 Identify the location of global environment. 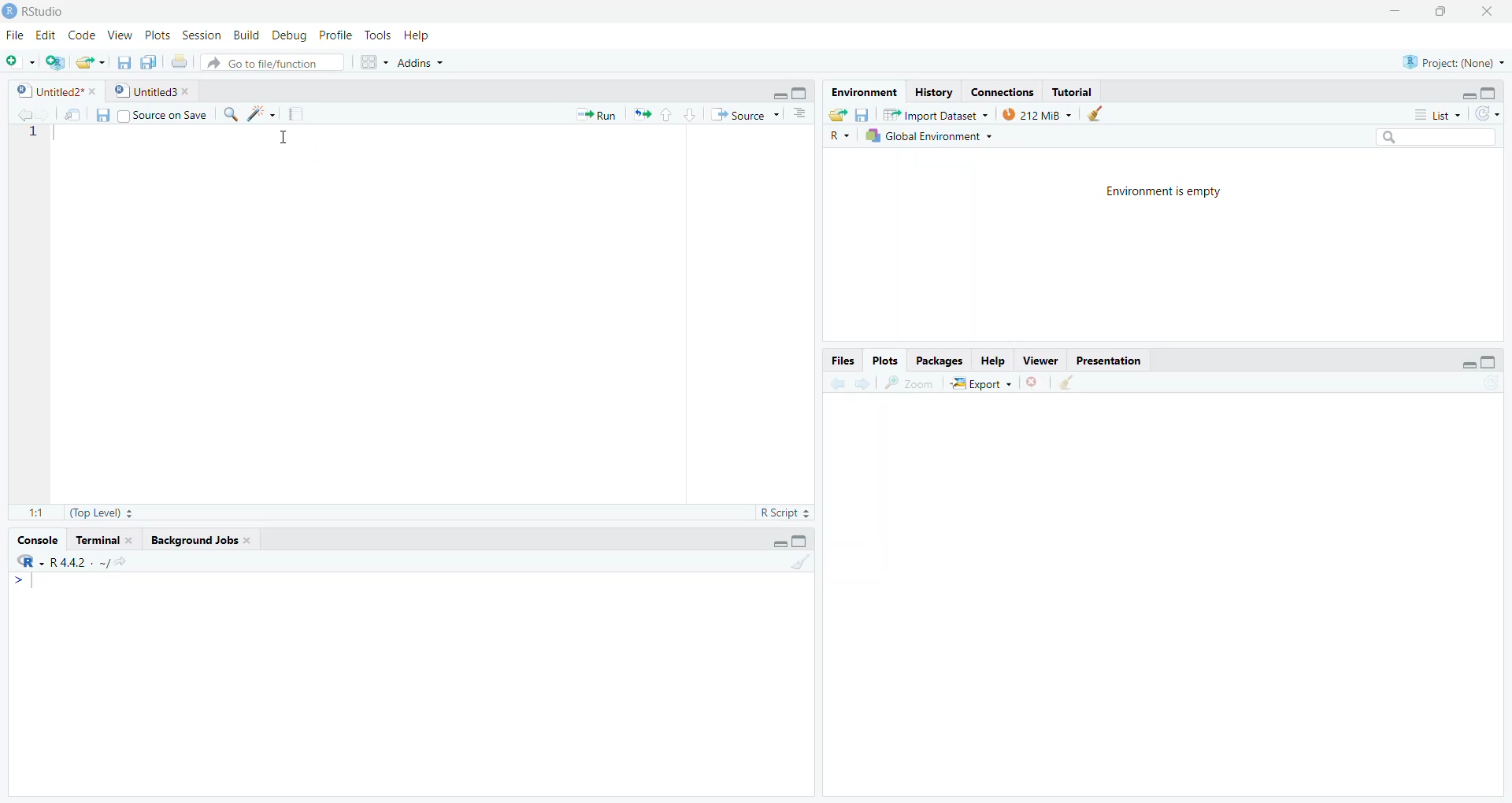
(934, 136).